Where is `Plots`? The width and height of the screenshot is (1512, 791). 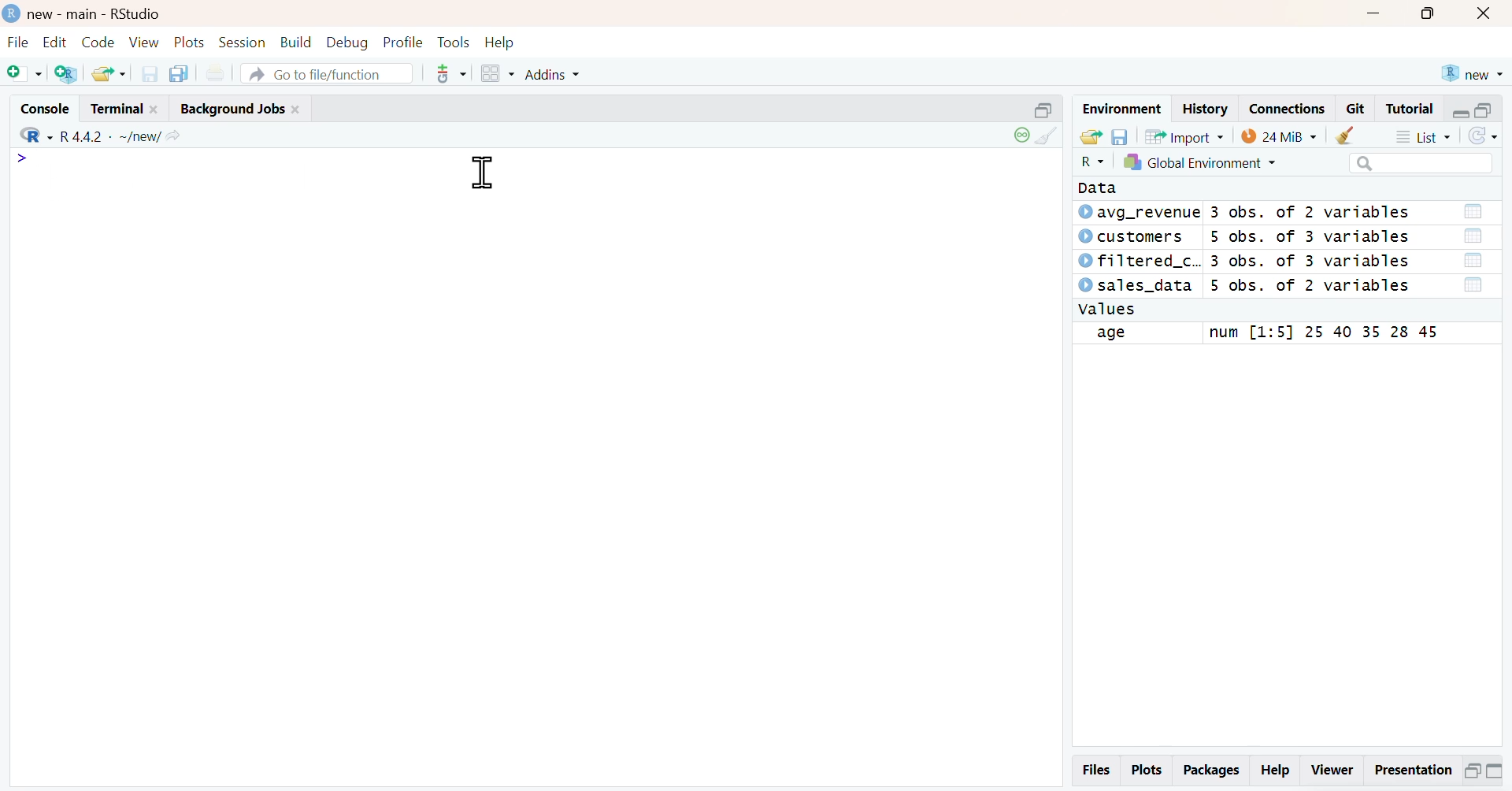 Plots is located at coordinates (1147, 771).